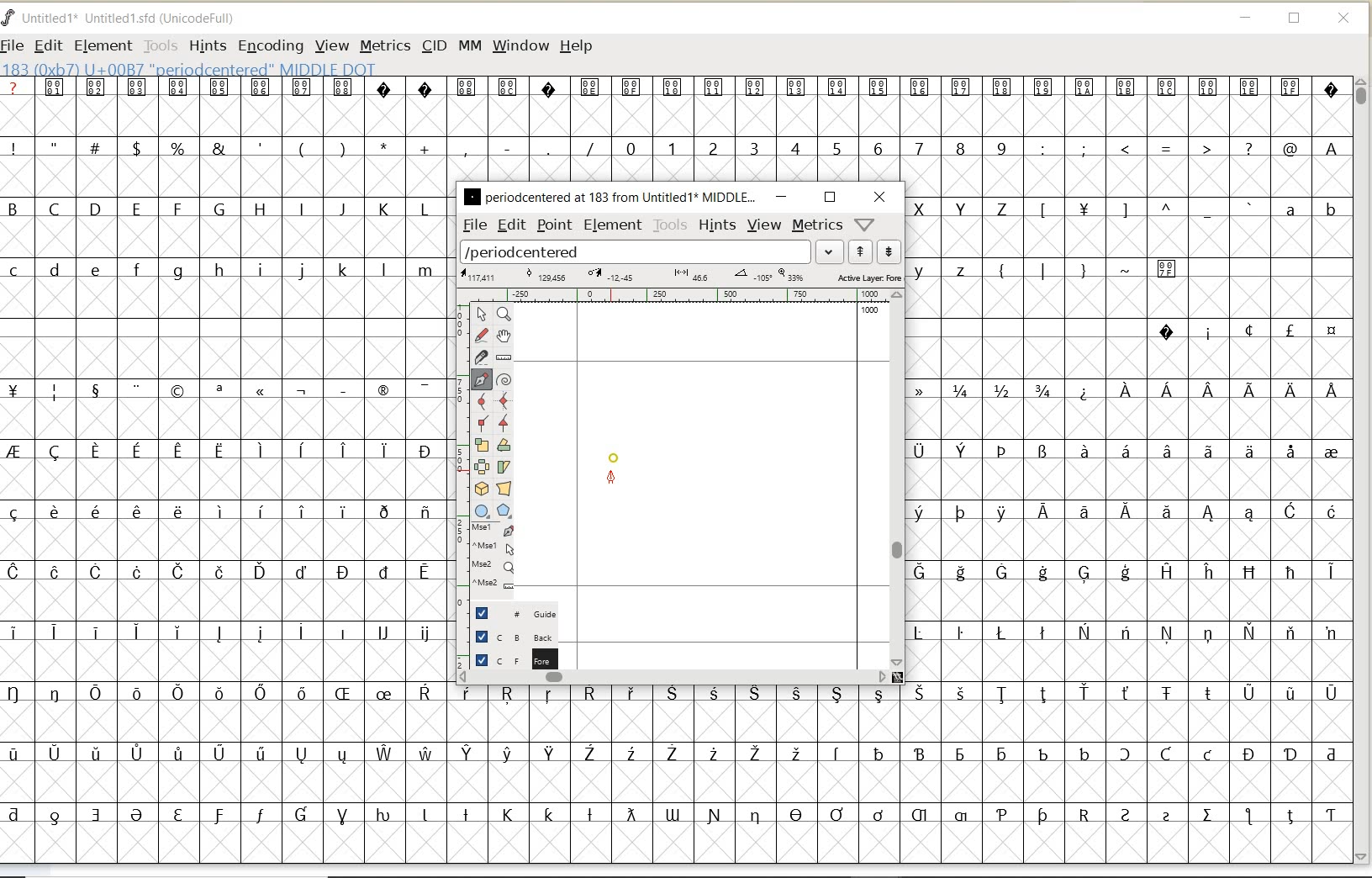 The image size is (1372, 878). What do you see at coordinates (899, 478) in the screenshot?
I see `scrollbar` at bounding box center [899, 478].